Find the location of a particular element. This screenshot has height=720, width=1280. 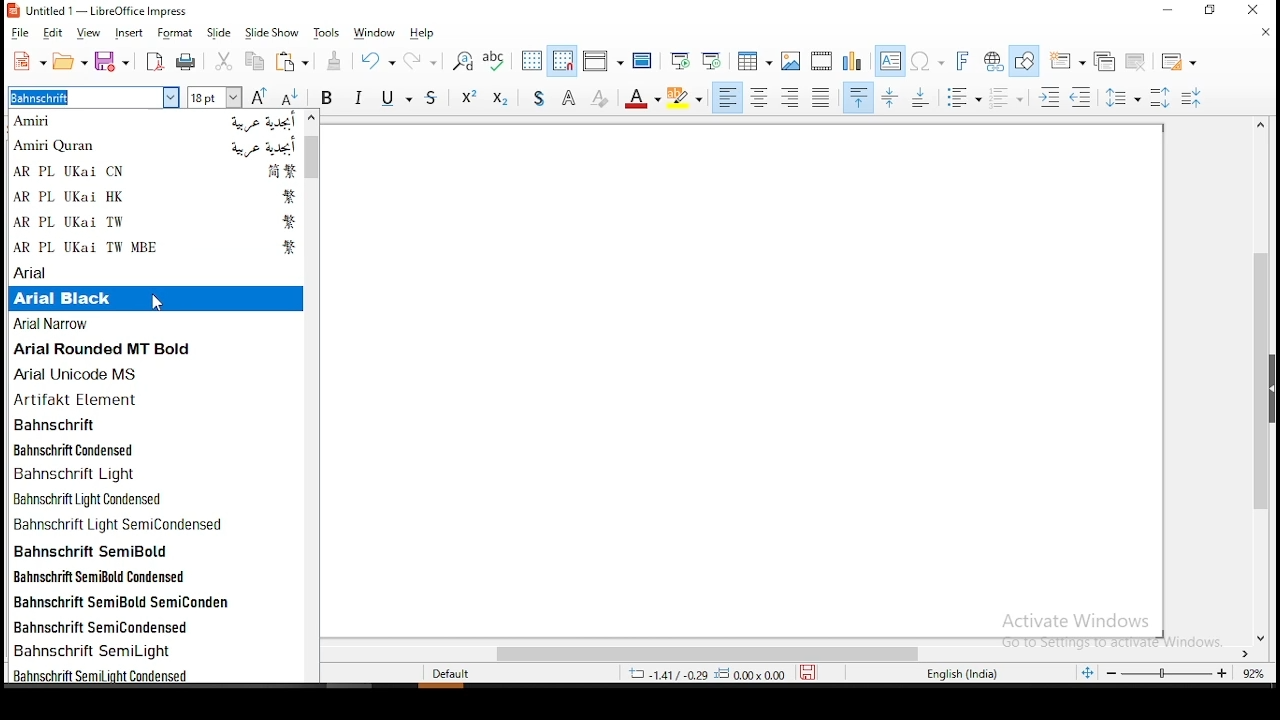

tools is located at coordinates (327, 33).